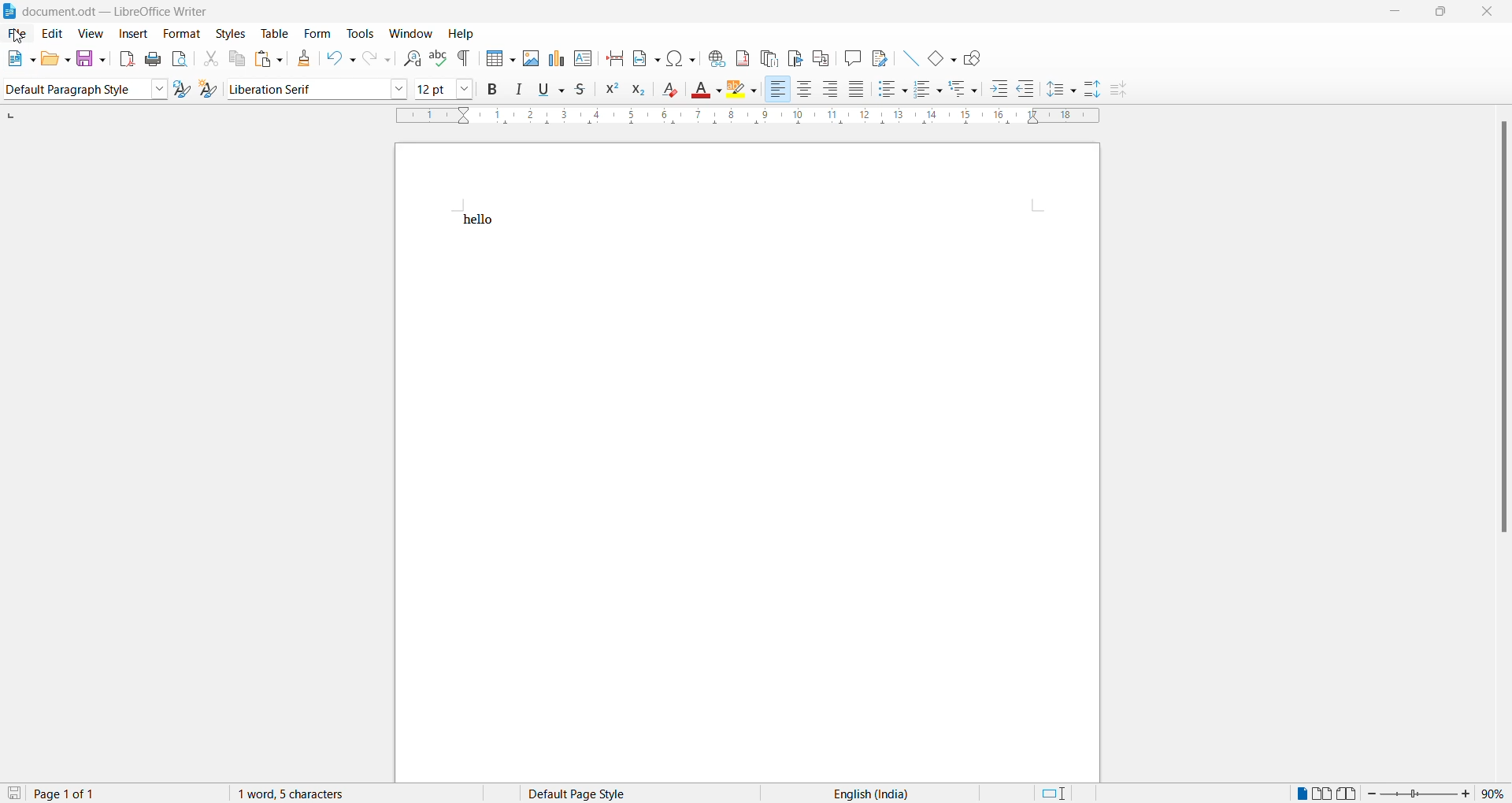 The height and width of the screenshot is (803, 1512). Describe the element at coordinates (867, 793) in the screenshot. I see `Text language` at that location.